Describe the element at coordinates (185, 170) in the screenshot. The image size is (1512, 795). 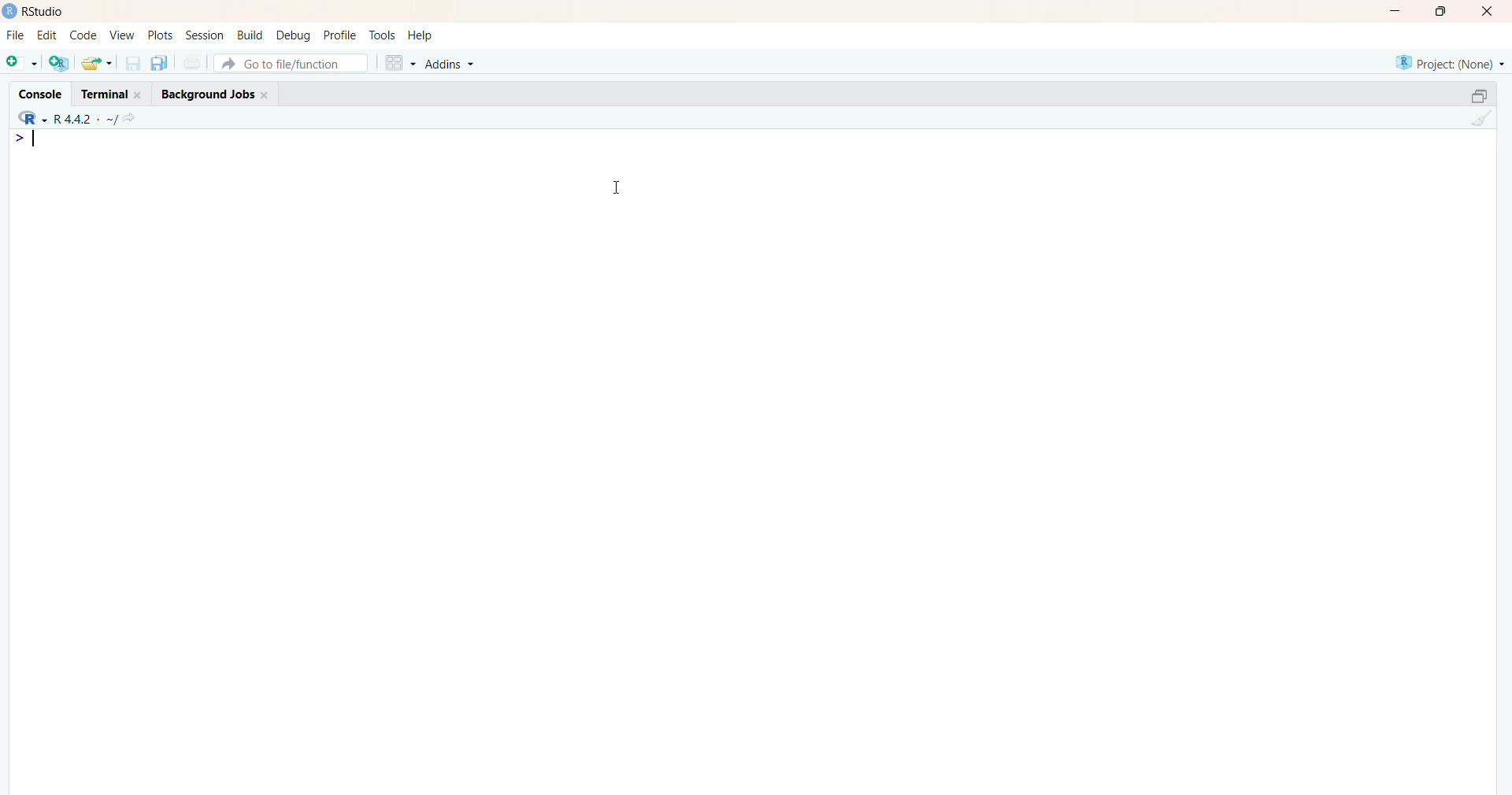
I see `> console log` at that location.